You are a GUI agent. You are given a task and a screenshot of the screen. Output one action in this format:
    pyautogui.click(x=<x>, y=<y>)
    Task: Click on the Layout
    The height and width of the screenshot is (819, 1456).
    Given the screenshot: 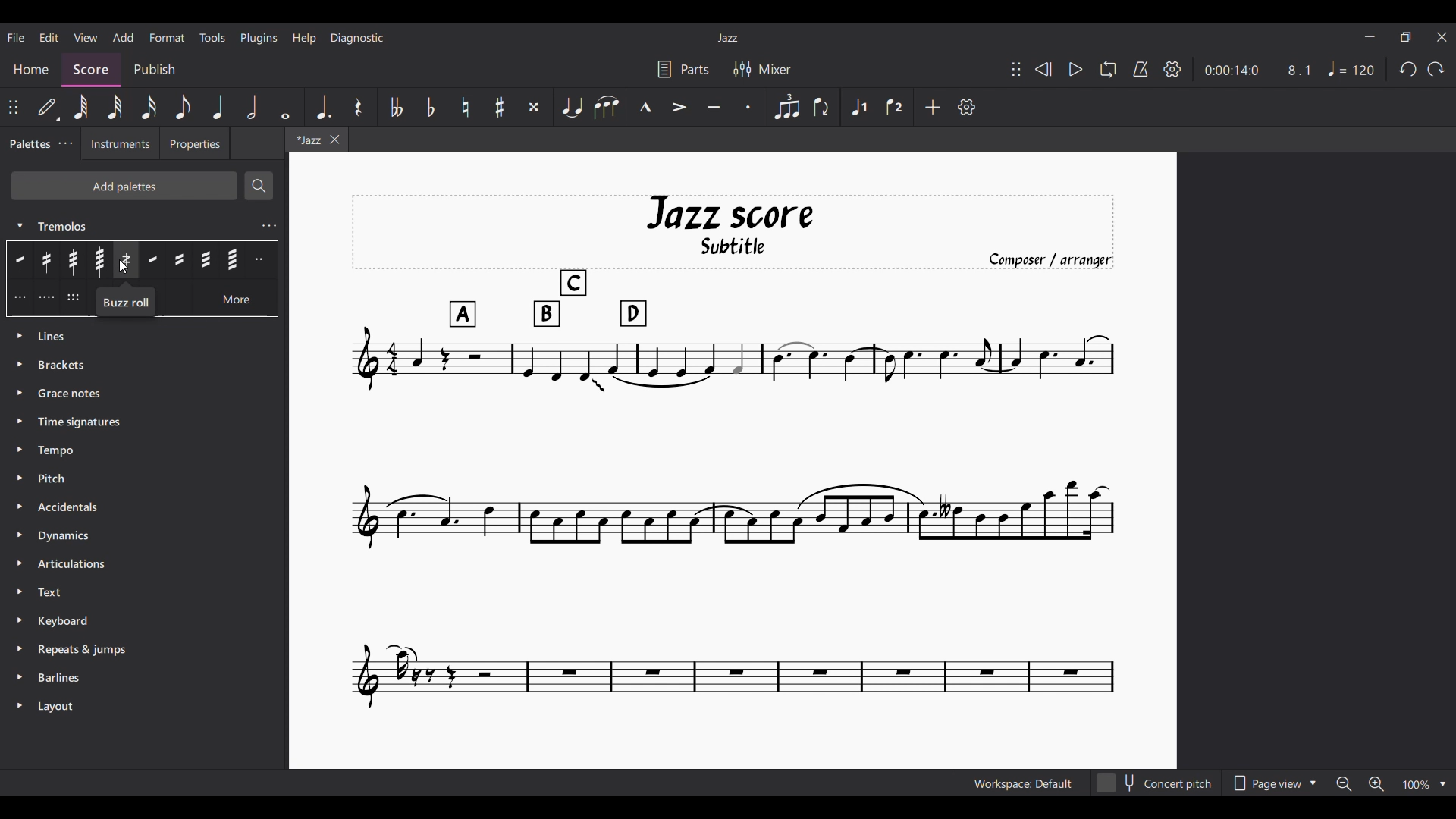 What is the action you would take?
    pyautogui.click(x=142, y=708)
    